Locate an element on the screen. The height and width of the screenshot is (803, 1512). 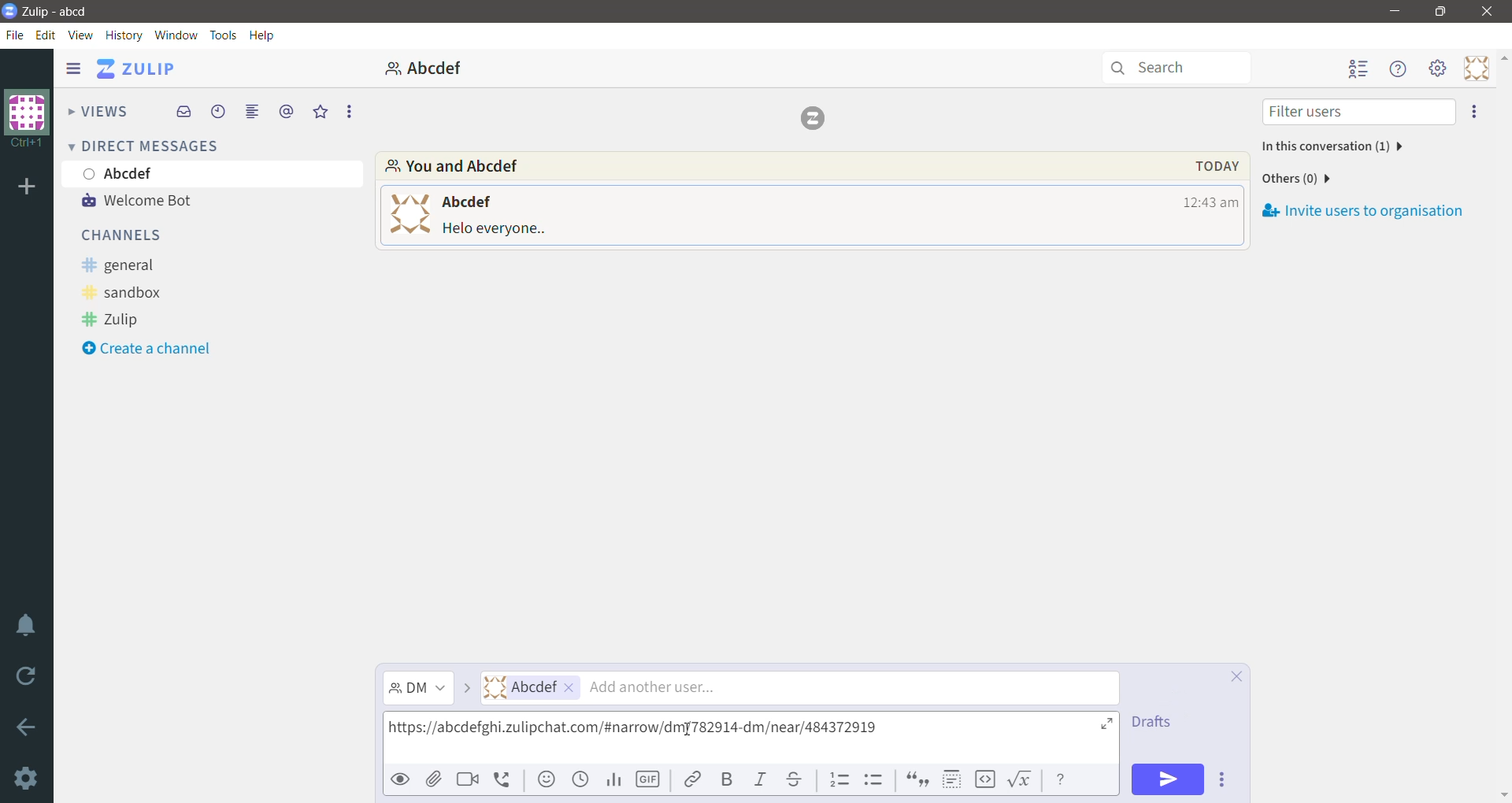
Welcome Bot is located at coordinates (149, 200).